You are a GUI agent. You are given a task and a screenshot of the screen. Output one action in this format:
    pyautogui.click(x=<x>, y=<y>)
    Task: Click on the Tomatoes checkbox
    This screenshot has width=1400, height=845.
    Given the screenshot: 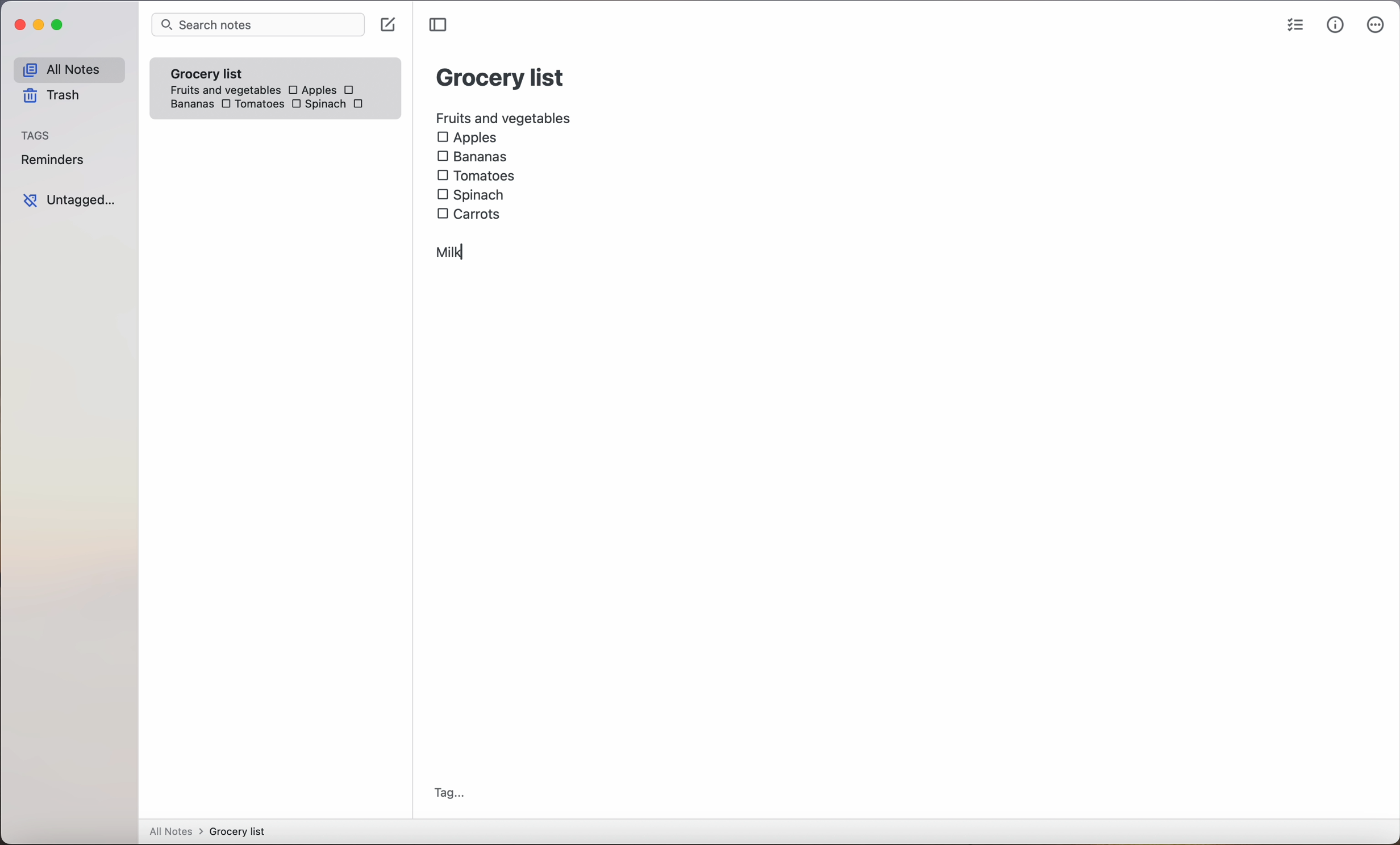 What is the action you would take?
    pyautogui.click(x=251, y=105)
    